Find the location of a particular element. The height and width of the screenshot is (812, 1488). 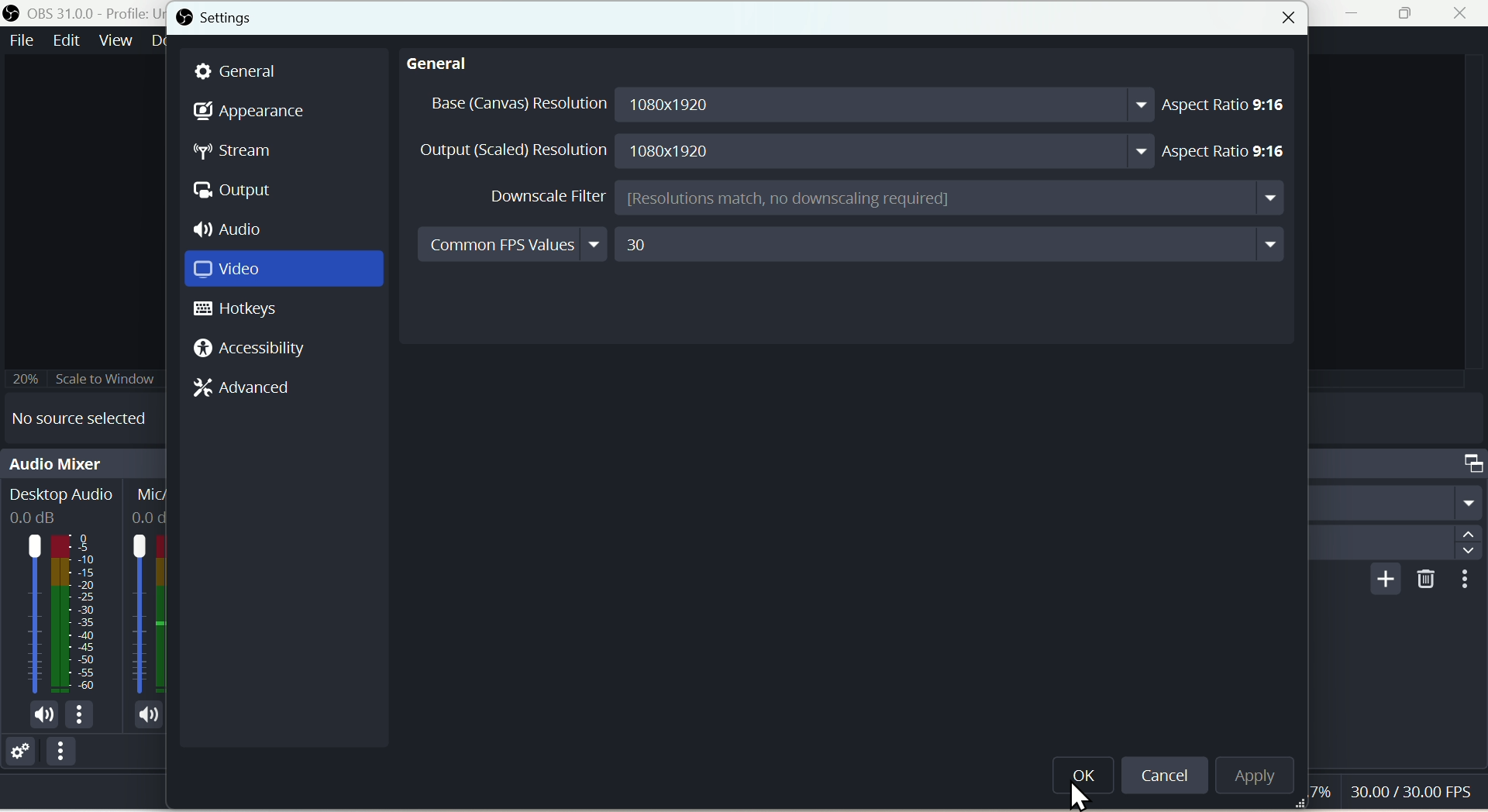

Aspect ratio 9: 16 is located at coordinates (1235, 146).